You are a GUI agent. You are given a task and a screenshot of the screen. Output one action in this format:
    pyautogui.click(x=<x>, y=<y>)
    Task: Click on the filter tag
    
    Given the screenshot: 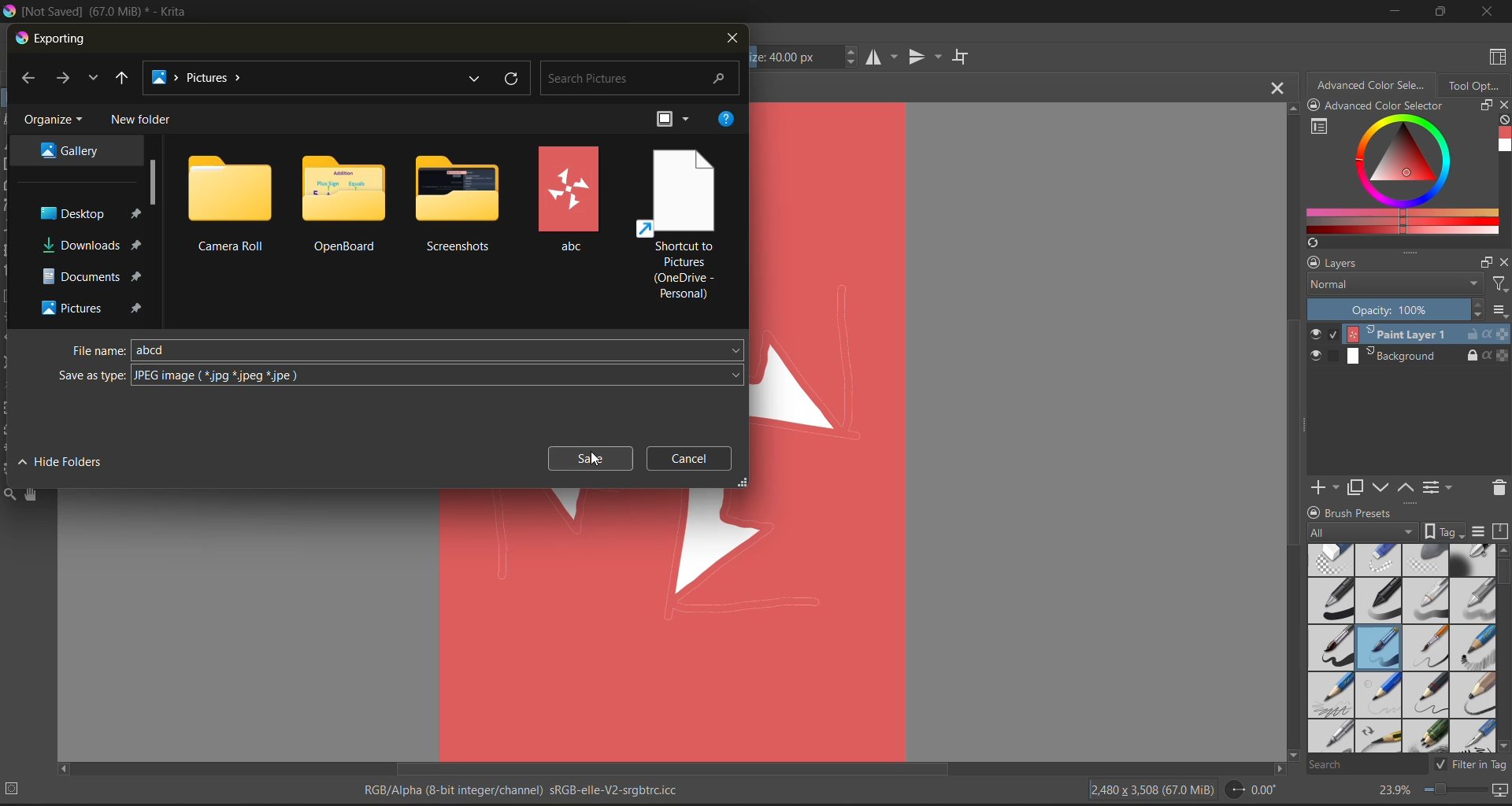 What is the action you would take?
    pyautogui.click(x=1471, y=766)
    